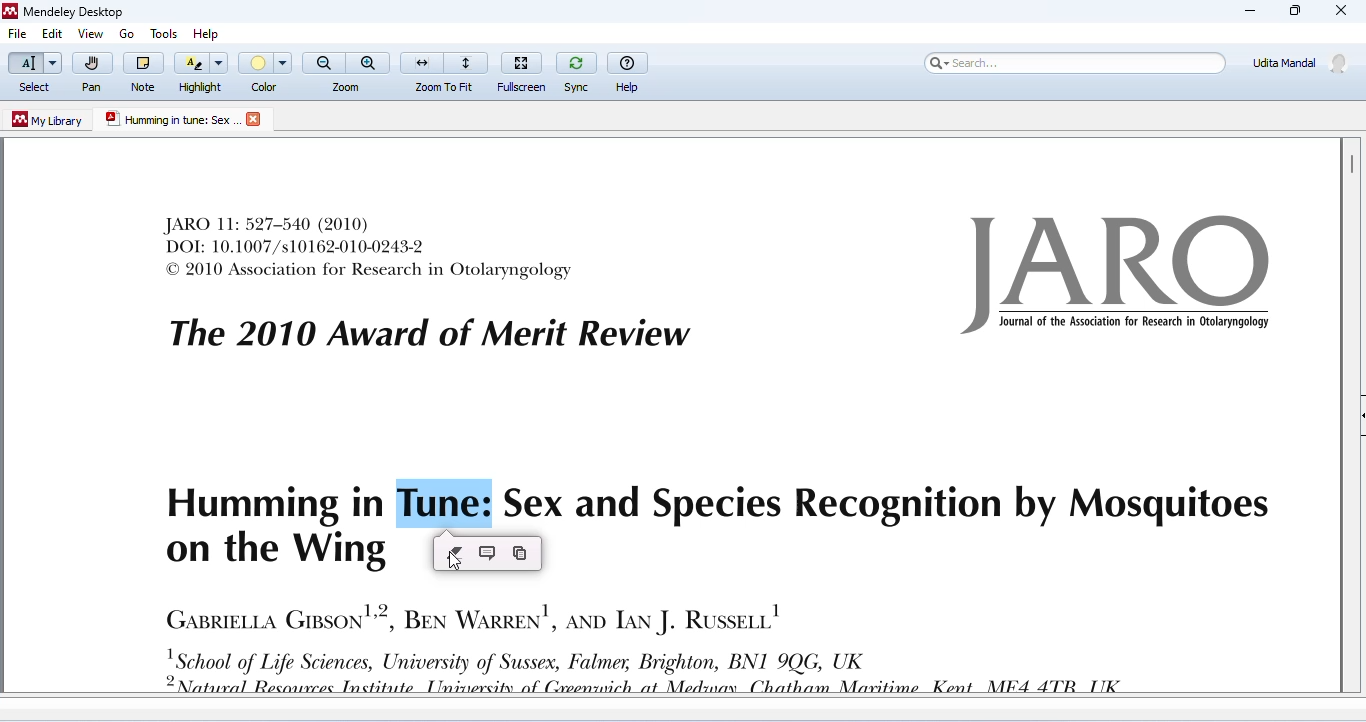  Describe the element at coordinates (161, 30) in the screenshot. I see `tools` at that location.